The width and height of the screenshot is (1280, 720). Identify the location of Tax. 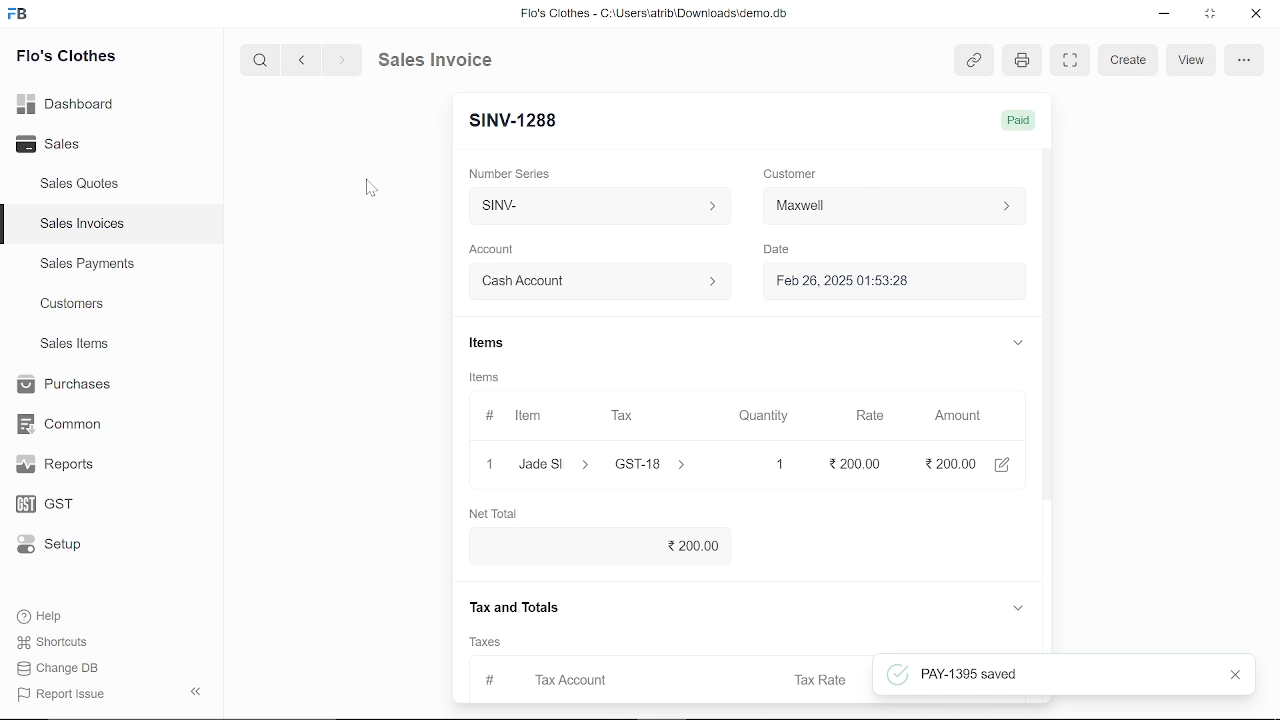
(626, 416).